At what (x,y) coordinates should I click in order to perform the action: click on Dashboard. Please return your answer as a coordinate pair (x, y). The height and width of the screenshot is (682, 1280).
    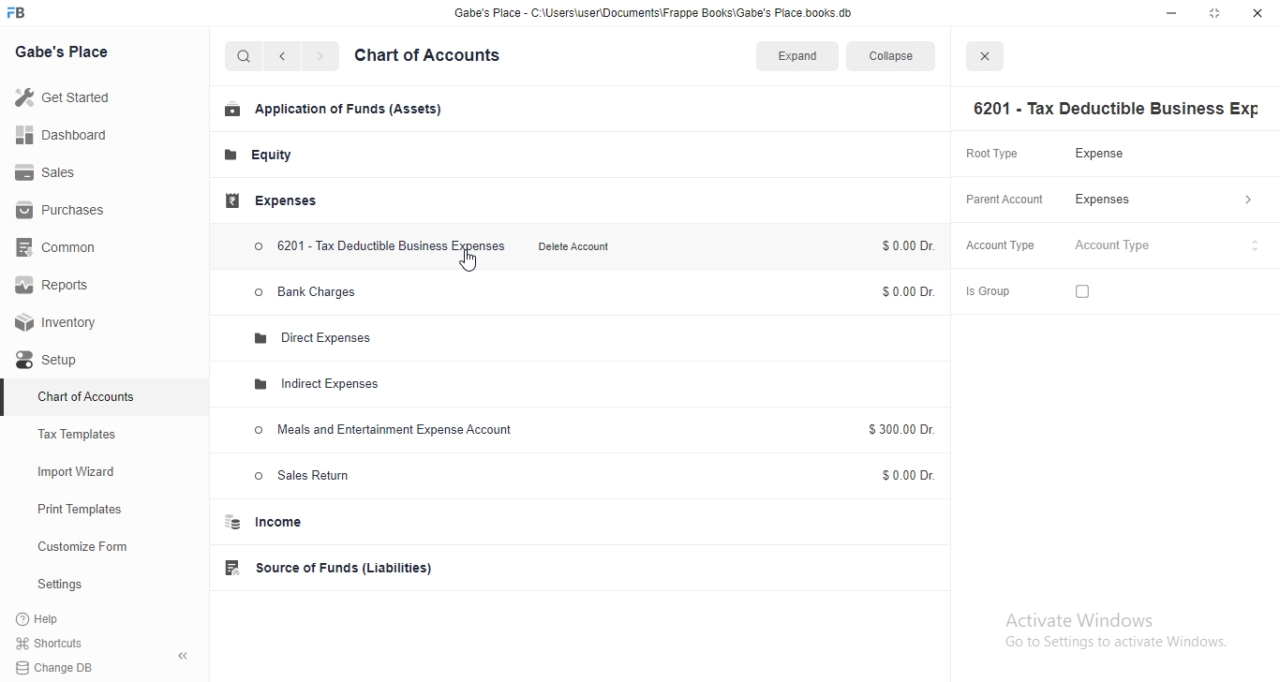
    Looking at the image, I should click on (64, 137).